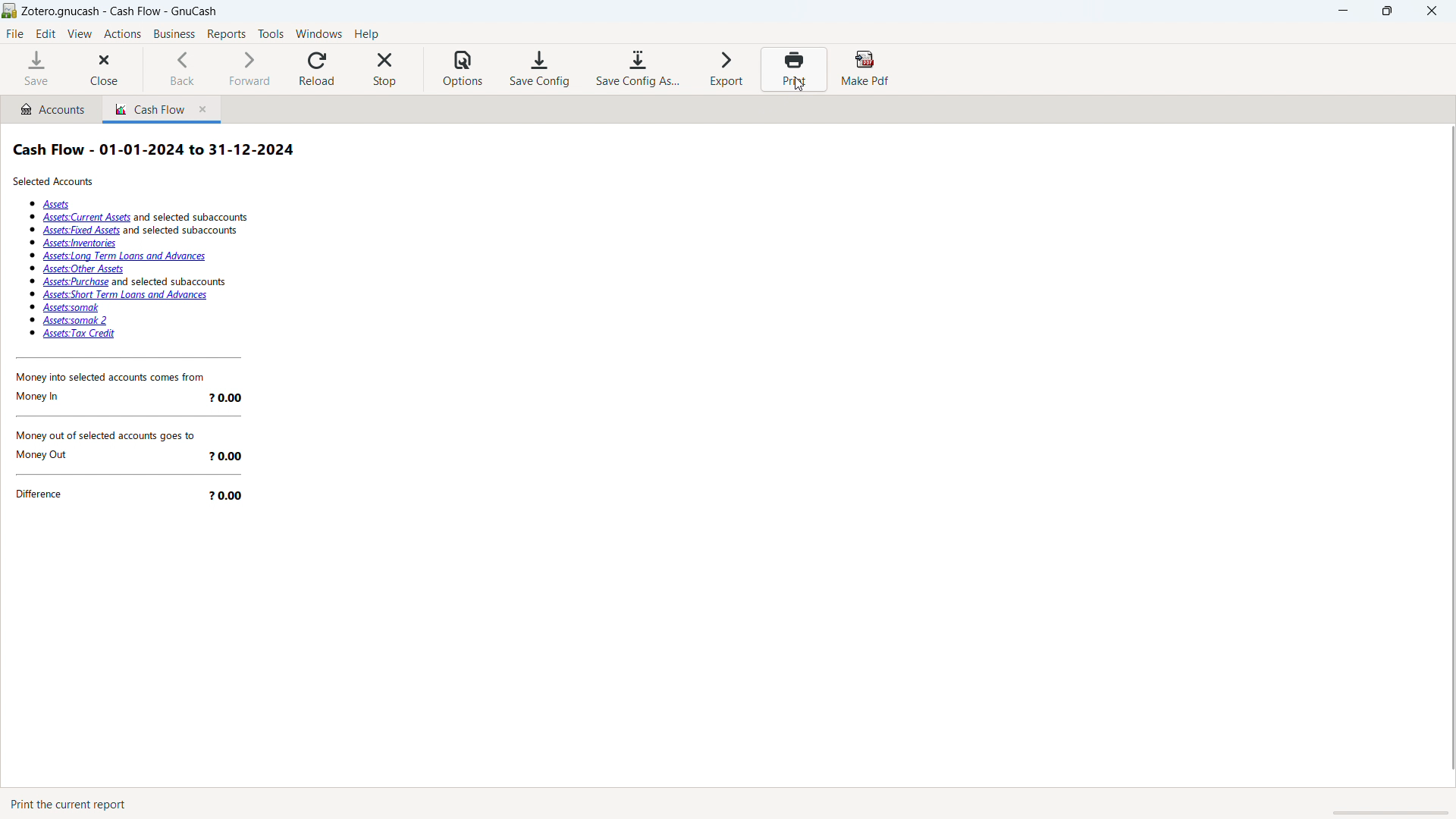 This screenshot has height=819, width=1456. What do you see at coordinates (539, 69) in the screenshot?
I see `save configuration` at bounding box center [539, 69].